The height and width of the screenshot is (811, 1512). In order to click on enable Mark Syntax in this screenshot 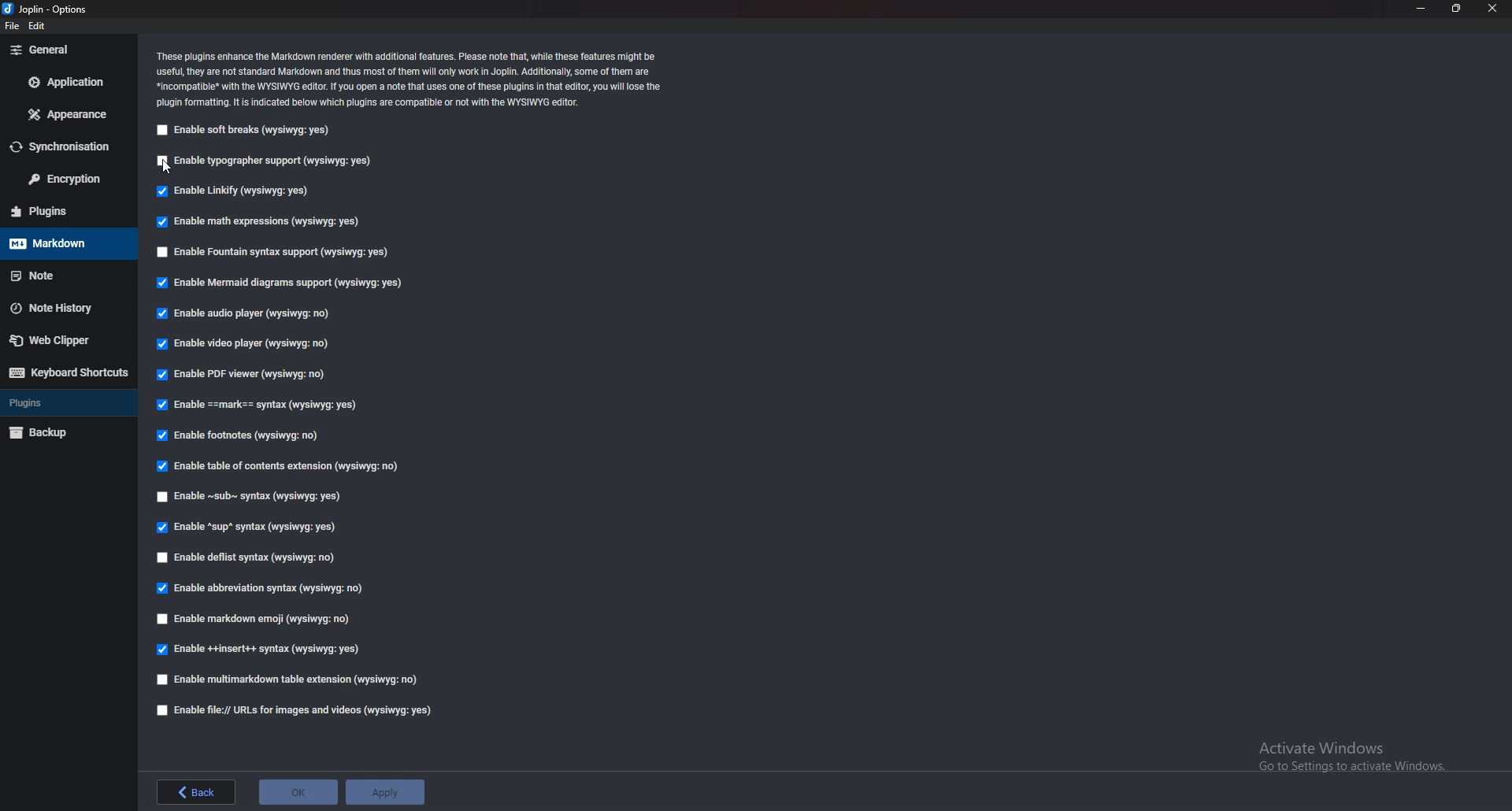, I will do `click(259, 404)`.